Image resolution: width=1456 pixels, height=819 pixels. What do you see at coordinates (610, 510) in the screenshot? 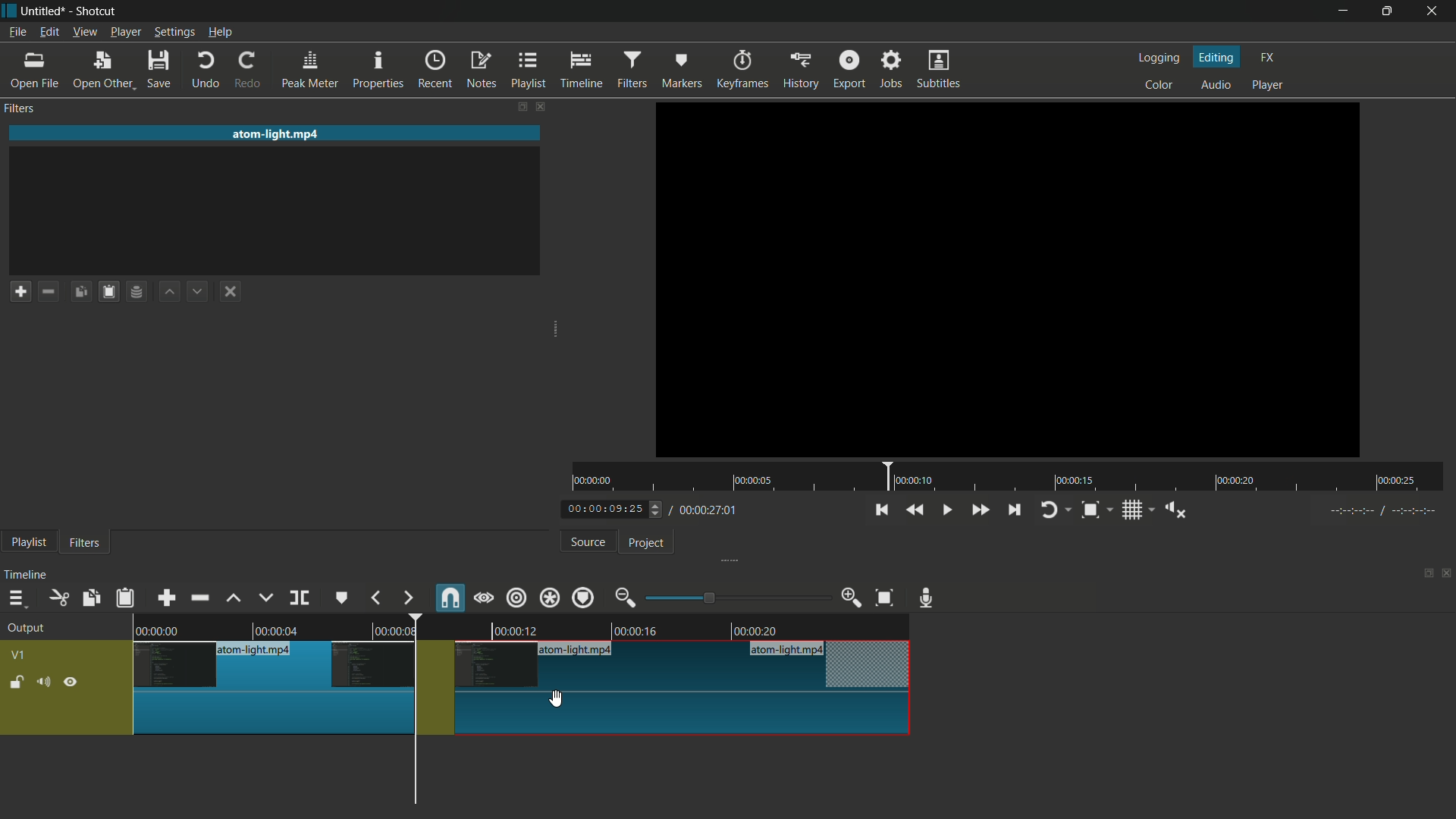
I see `current time` at bounding box center [610, 510].